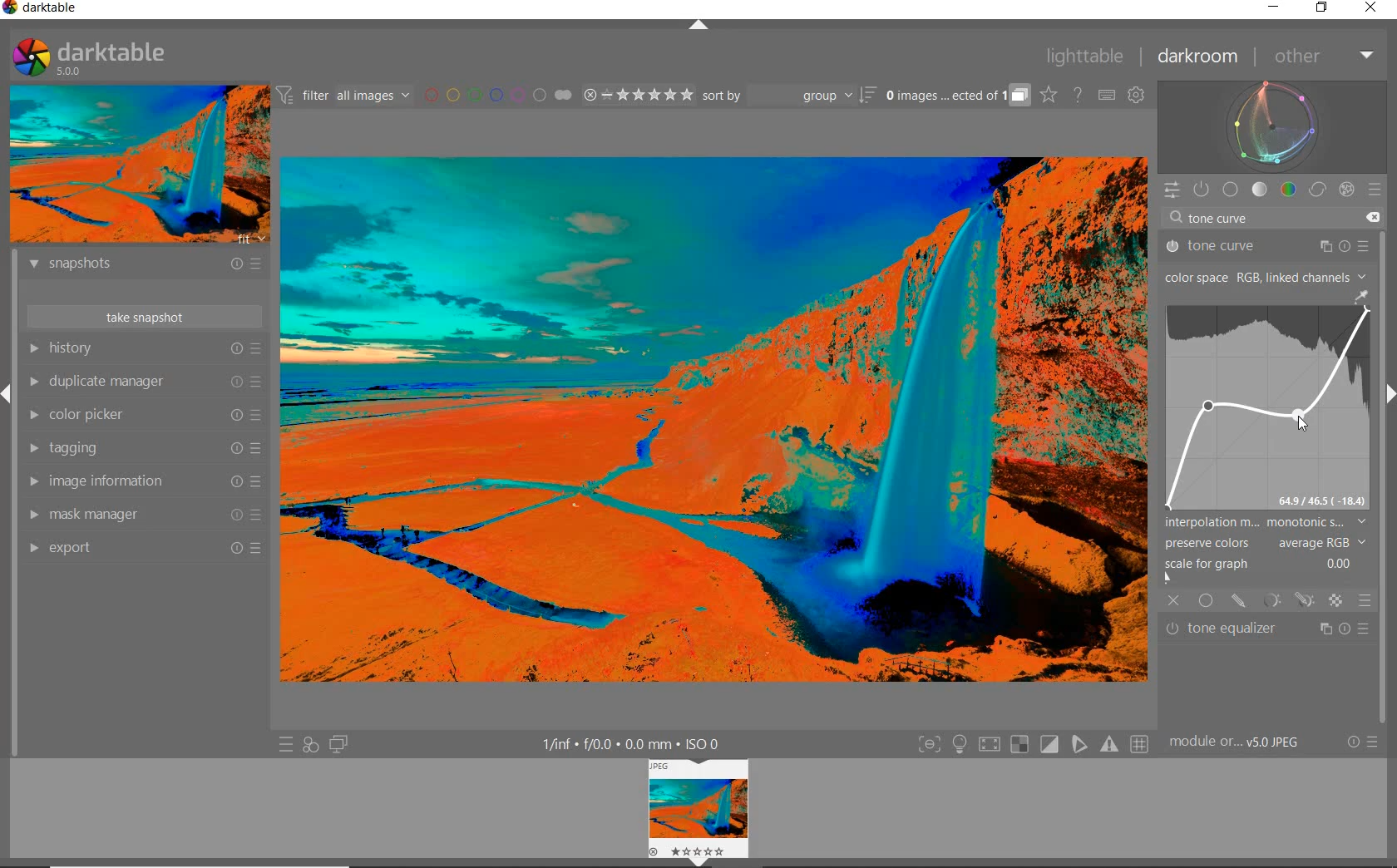 This screenshot has height=868, width=1397. Describe the element at coordinates (1344, 189) in the screenshot. I see `effect` at that location.